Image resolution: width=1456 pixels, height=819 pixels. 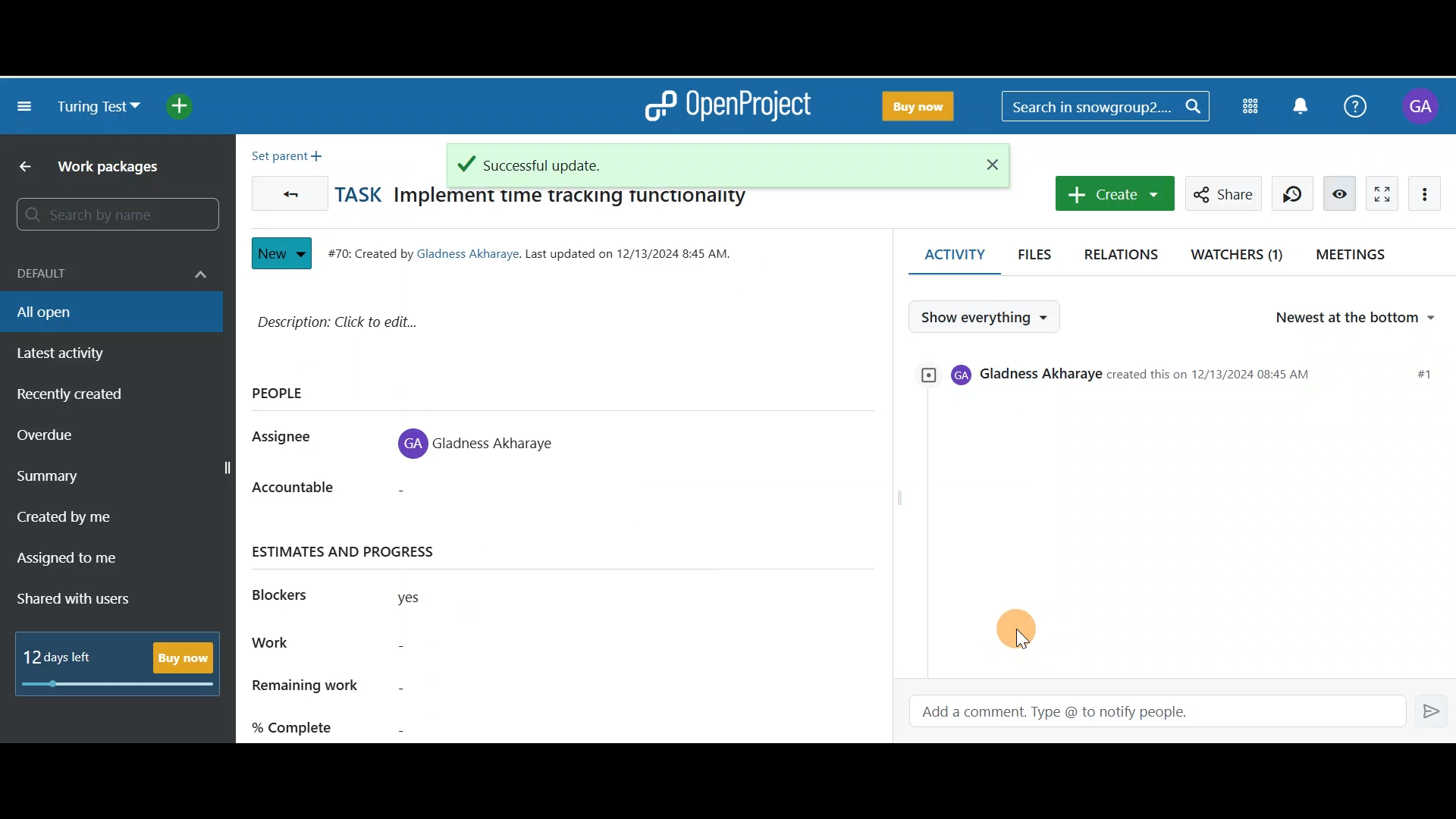 I want to click on Add a comment. Type @ to notify people., so click(x=1147, y=712).